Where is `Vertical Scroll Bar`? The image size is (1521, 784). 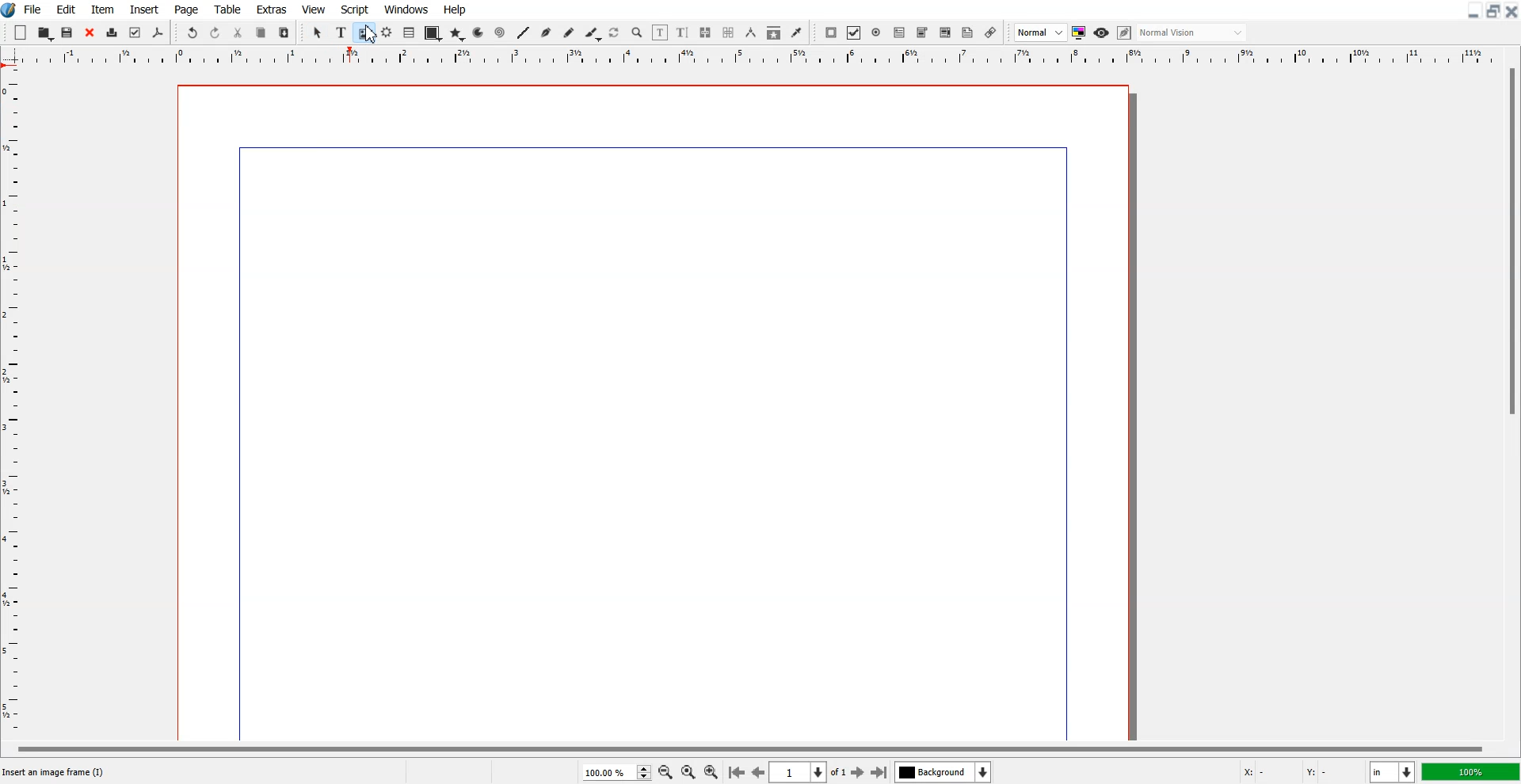 Vertical Scroll Bar is located at coordinates (1510, 401).